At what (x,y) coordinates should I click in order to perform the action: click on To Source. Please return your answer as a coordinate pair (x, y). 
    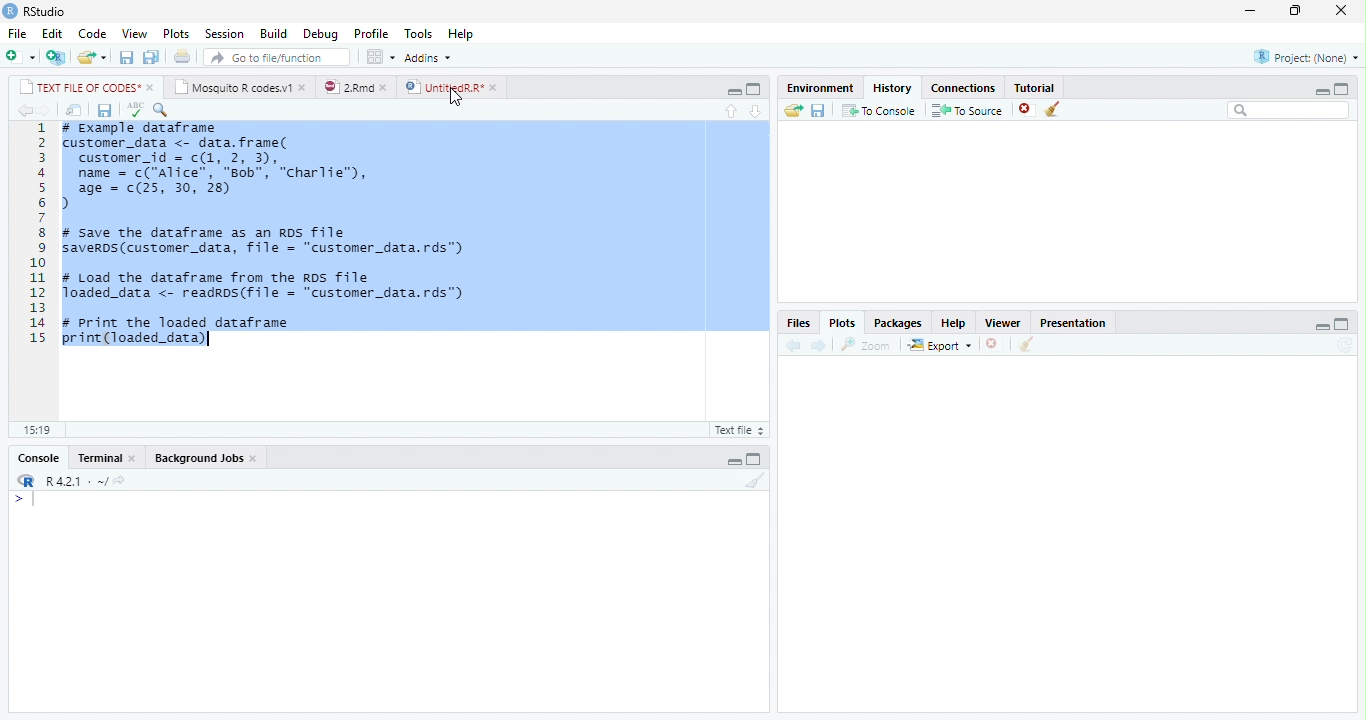
    Looking at the image, I should click on (966, 110).